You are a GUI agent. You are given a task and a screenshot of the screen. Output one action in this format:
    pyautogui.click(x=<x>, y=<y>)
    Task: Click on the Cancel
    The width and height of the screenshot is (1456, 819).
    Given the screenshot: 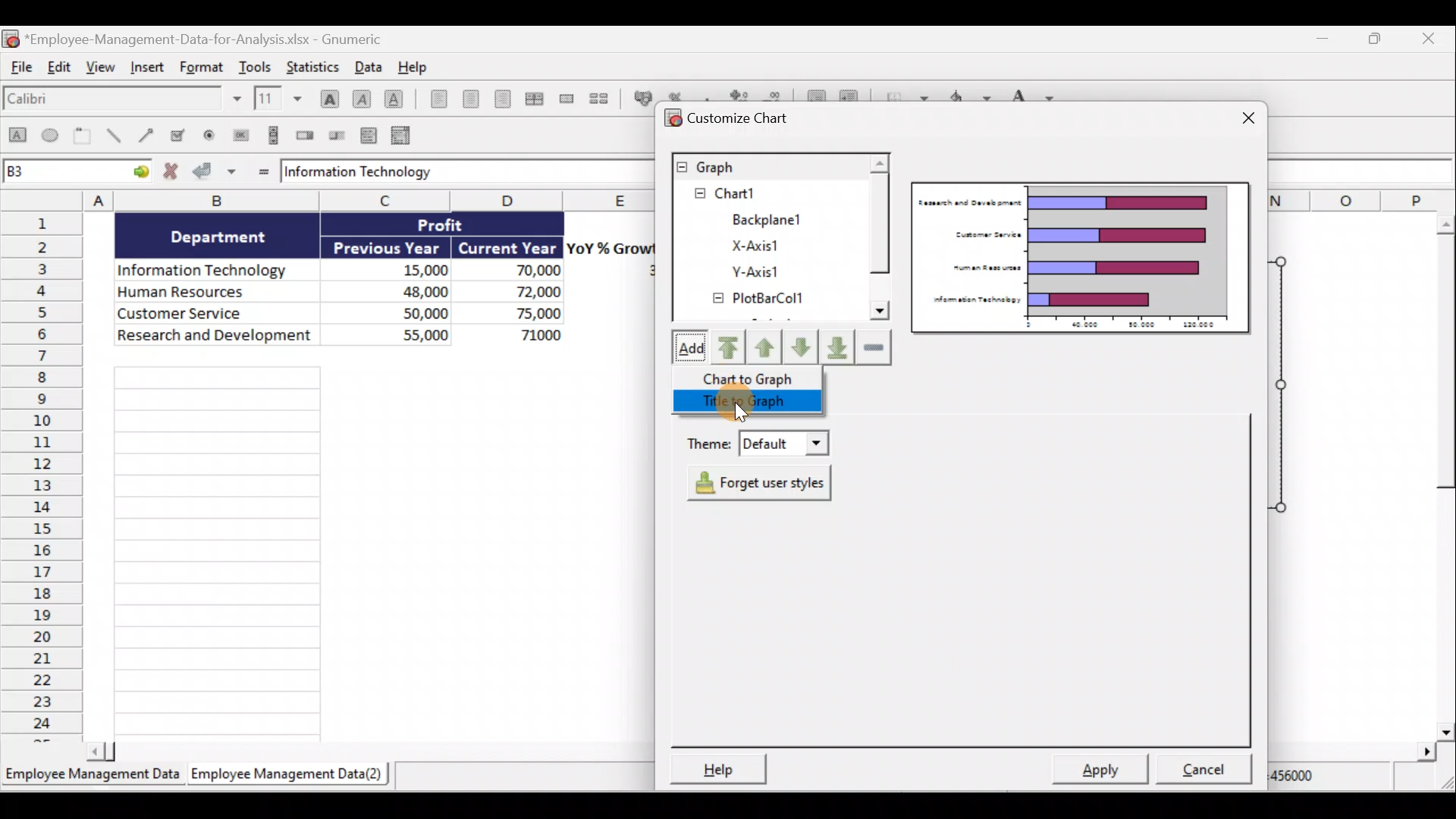 What is the action you would take?
    pyautogui.click(x=1198, y=770)
    